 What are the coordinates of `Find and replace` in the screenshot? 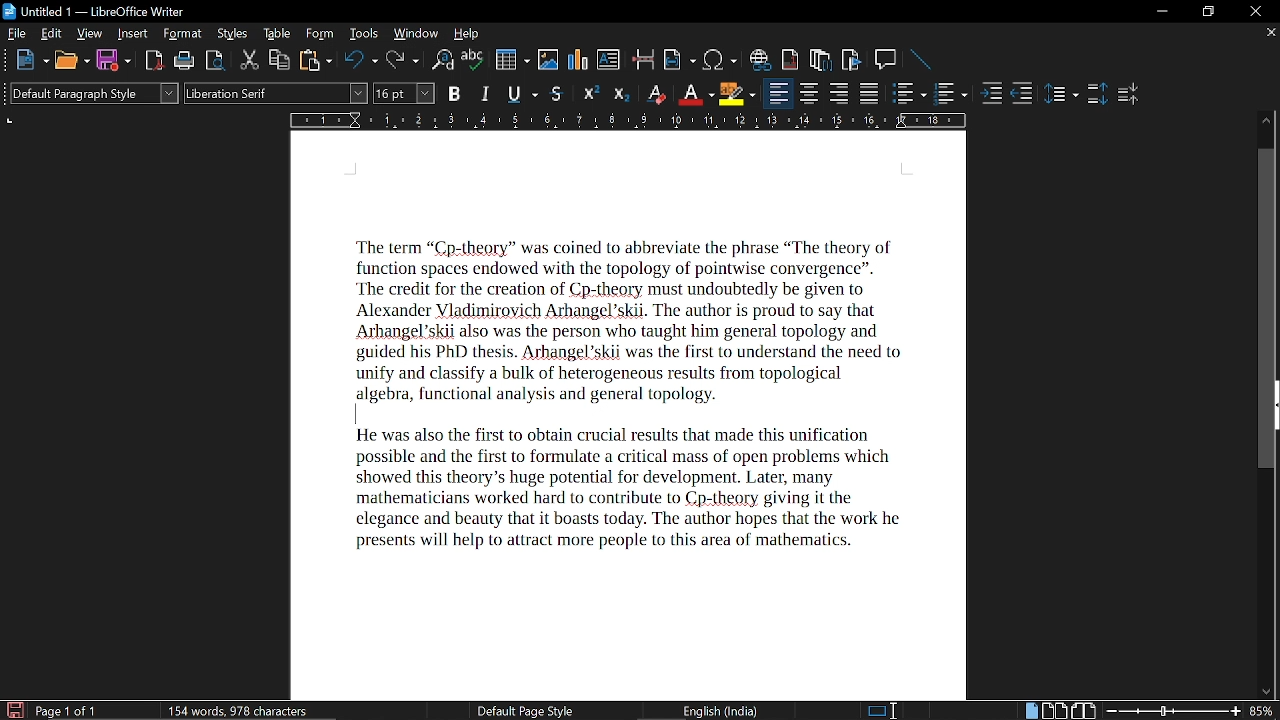 It's located at (444, 61).